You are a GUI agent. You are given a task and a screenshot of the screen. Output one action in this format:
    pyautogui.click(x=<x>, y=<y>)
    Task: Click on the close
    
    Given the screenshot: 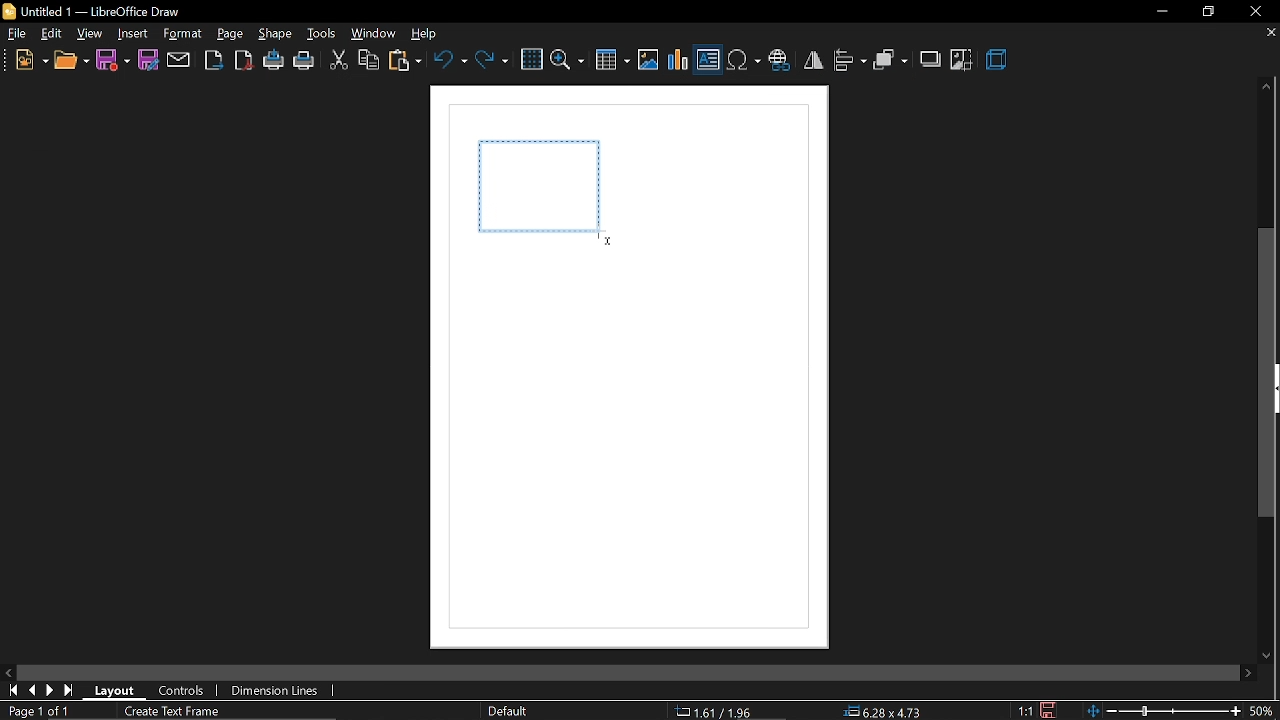 What is the action you would take?
    pyautogui.click(x=1255, y=12)
    